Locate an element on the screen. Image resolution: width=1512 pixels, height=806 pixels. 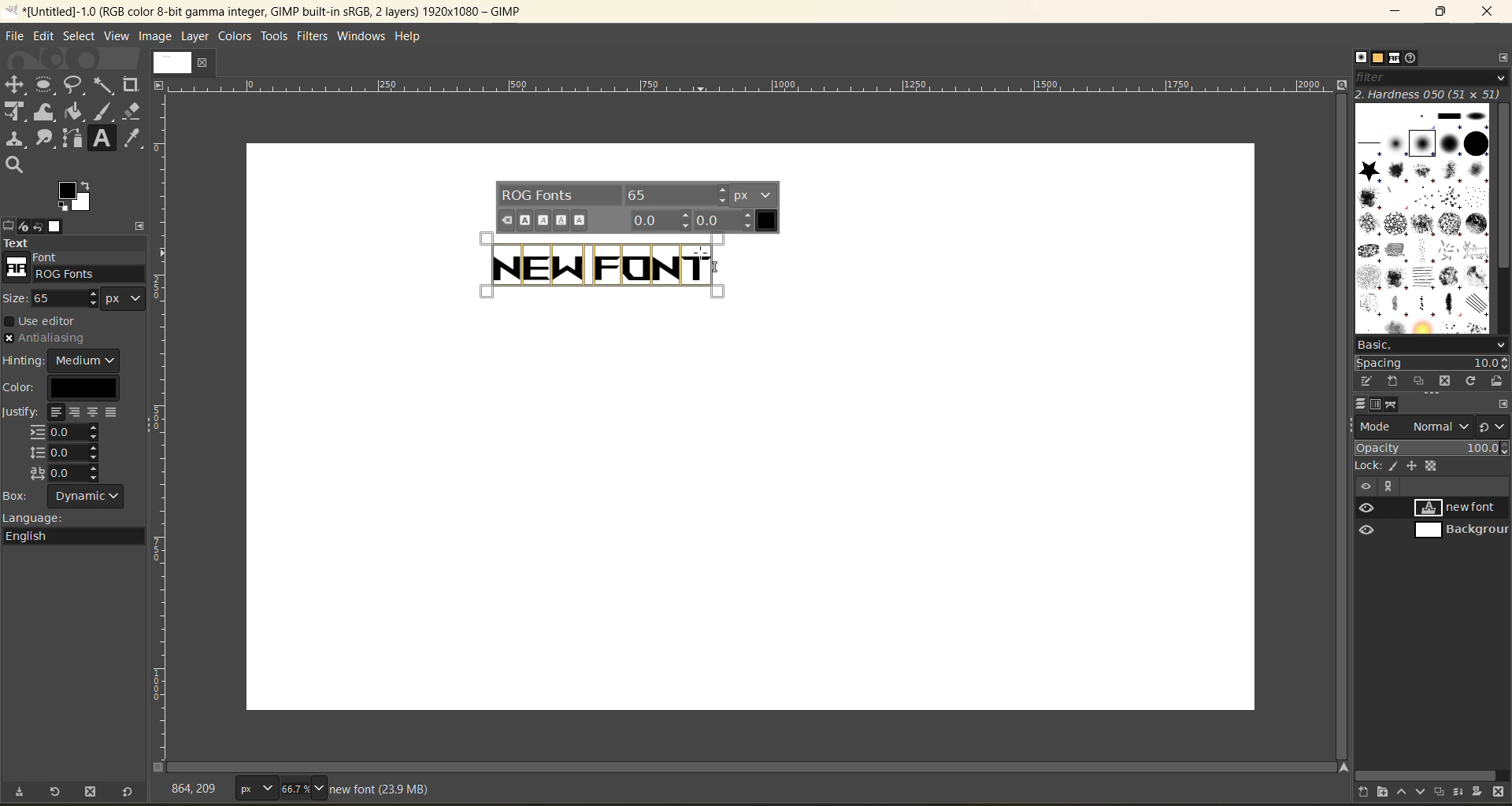
image is located at coordinates (168, 61).